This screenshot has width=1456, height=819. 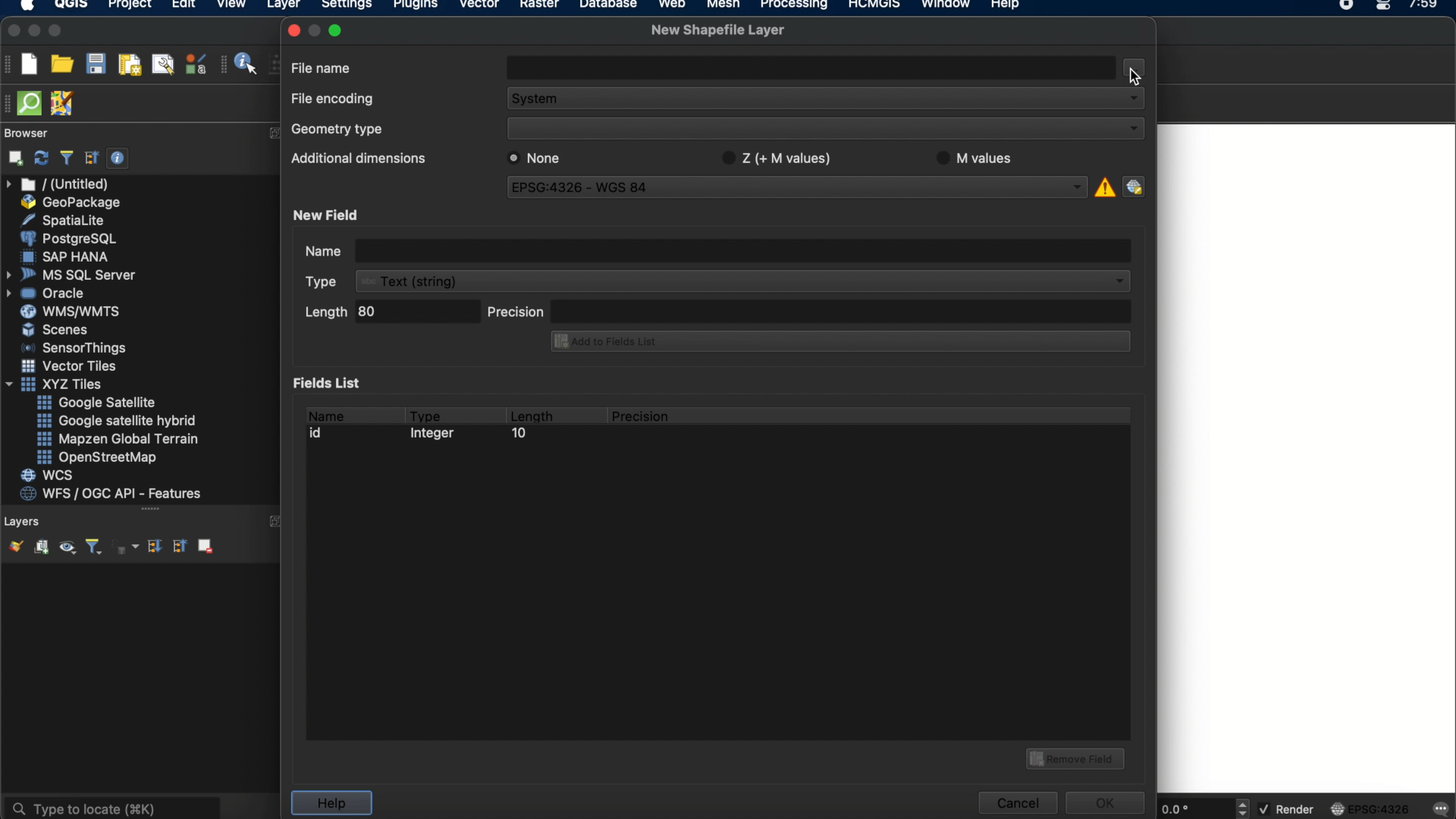 I want to click on ok, so click(x=1107, y=801).